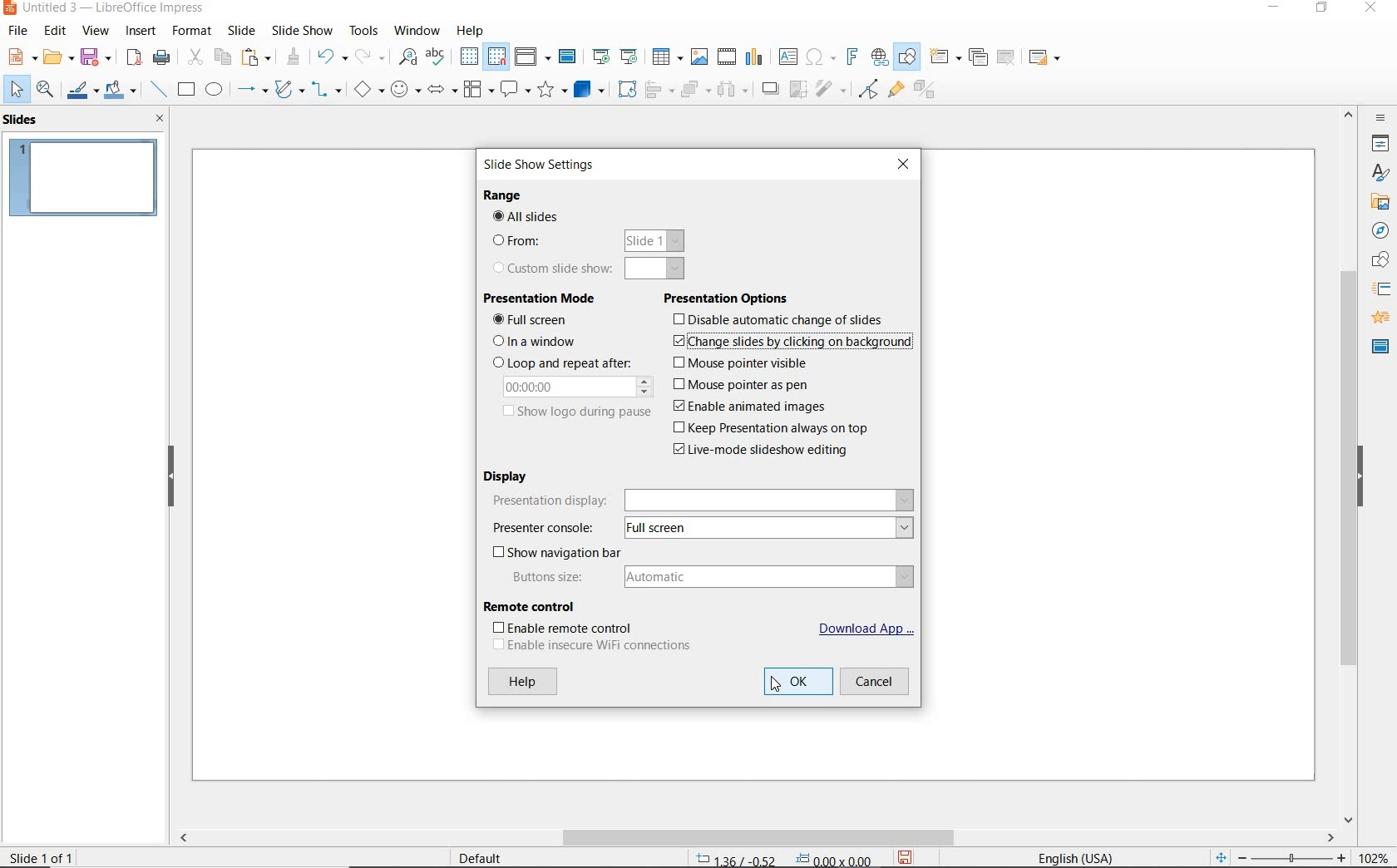 Image resolution: width=1397 pixels, height=868 pixels. What do you see at coordinates (478, 30) in the screenshot?
I see `HELP` at bounding box center [478, 30].